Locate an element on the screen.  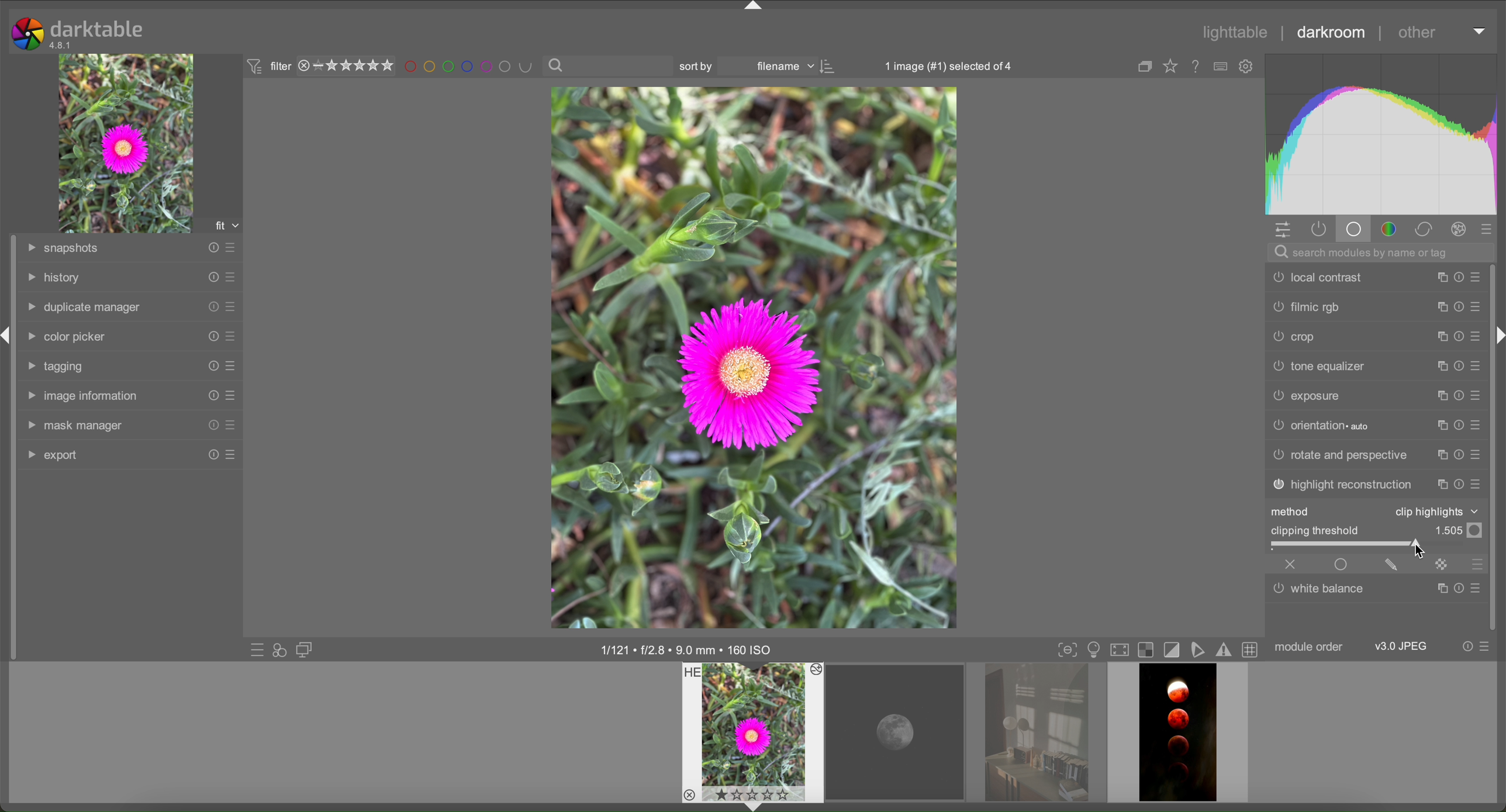
filter by images color level is located at coordinates (469, 67).